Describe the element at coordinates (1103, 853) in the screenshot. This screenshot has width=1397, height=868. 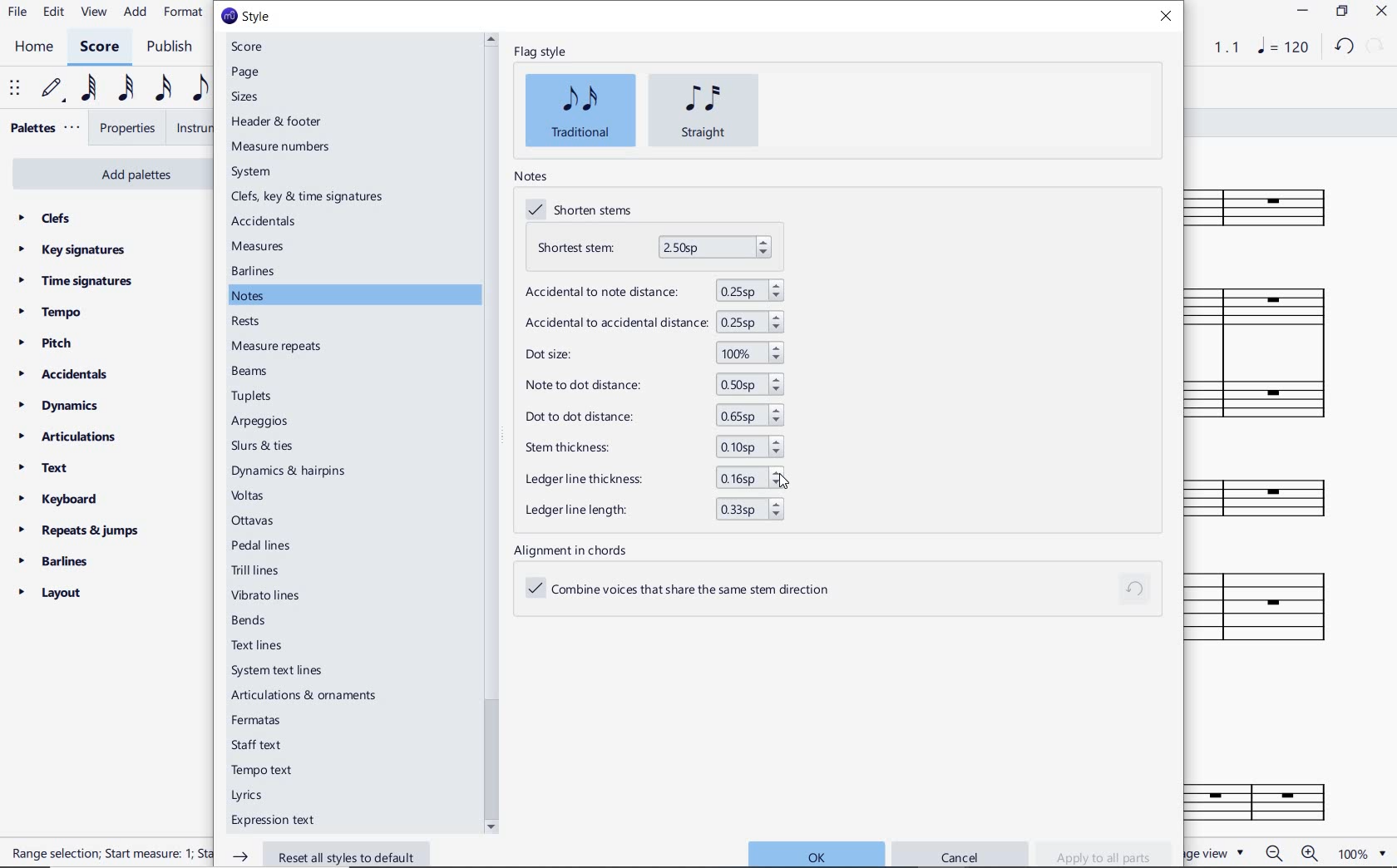
I see `apply to all parts` at that location.